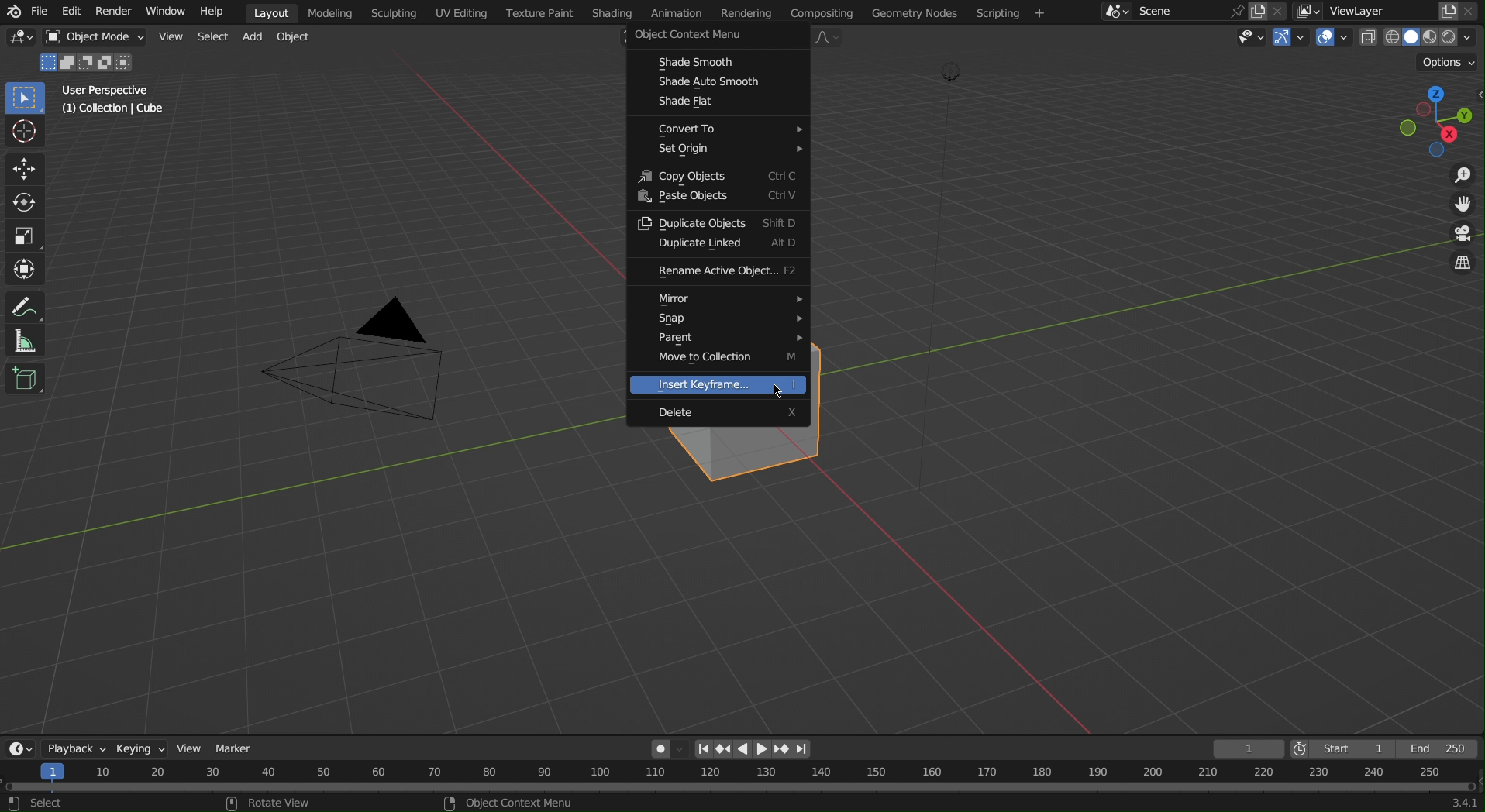 Image resolution: width=1485 pixels, height=812 pixels. What do you see at coordinates (539, 13) in the screenshot?
I see `Texture Paint` at bounding box center [539, 13].